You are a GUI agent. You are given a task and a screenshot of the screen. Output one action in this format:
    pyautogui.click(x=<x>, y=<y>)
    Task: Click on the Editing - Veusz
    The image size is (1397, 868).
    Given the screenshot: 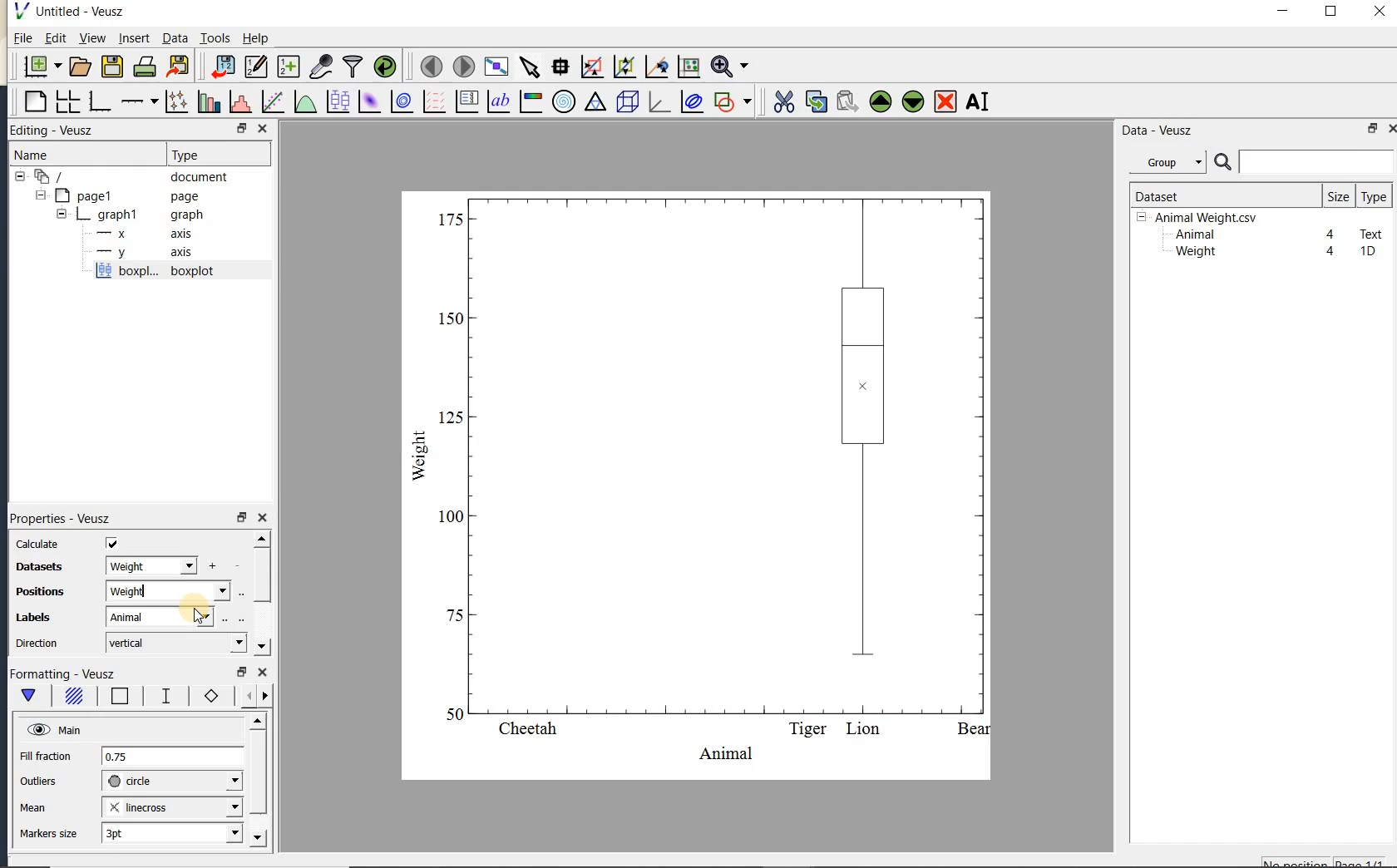 What is the action you would take?
    pyautogui.click(x=61, y=131)
    